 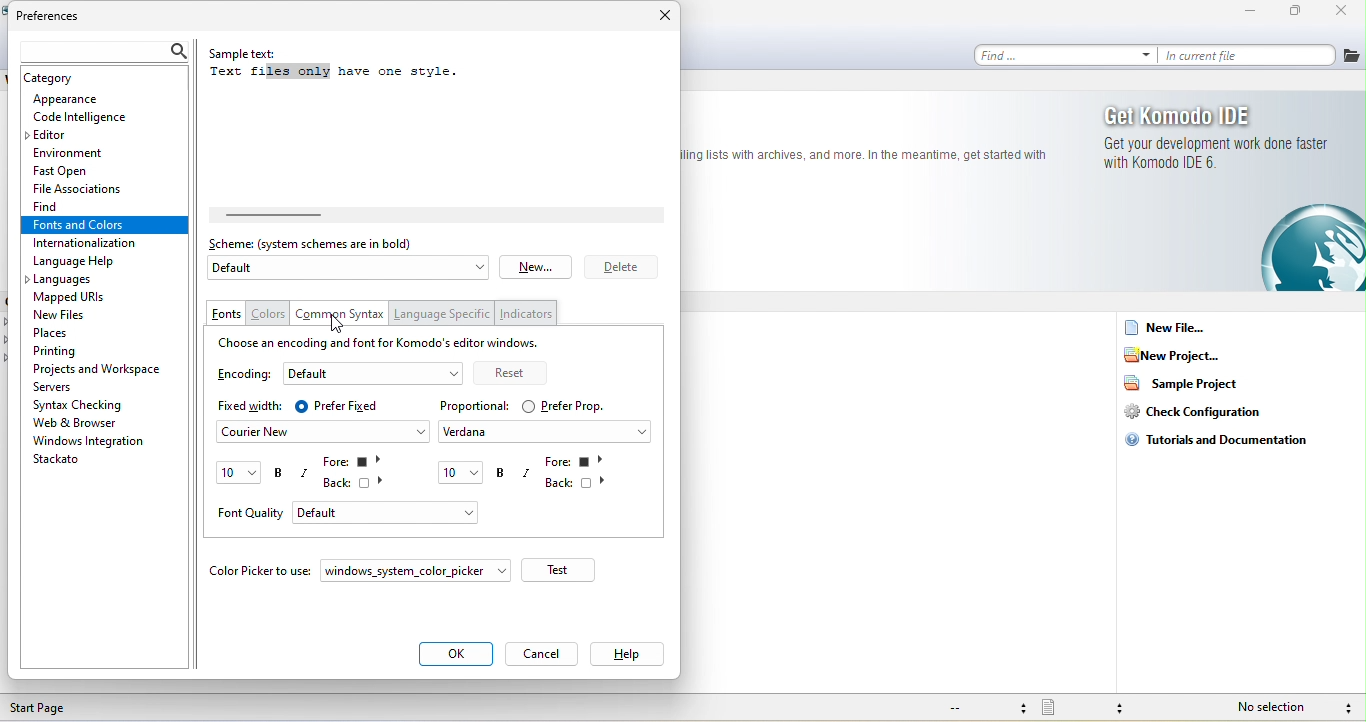 What do you see at coordinates (66, 707) in the screenshot?
I see `start page` at bounding box center [66, 707].